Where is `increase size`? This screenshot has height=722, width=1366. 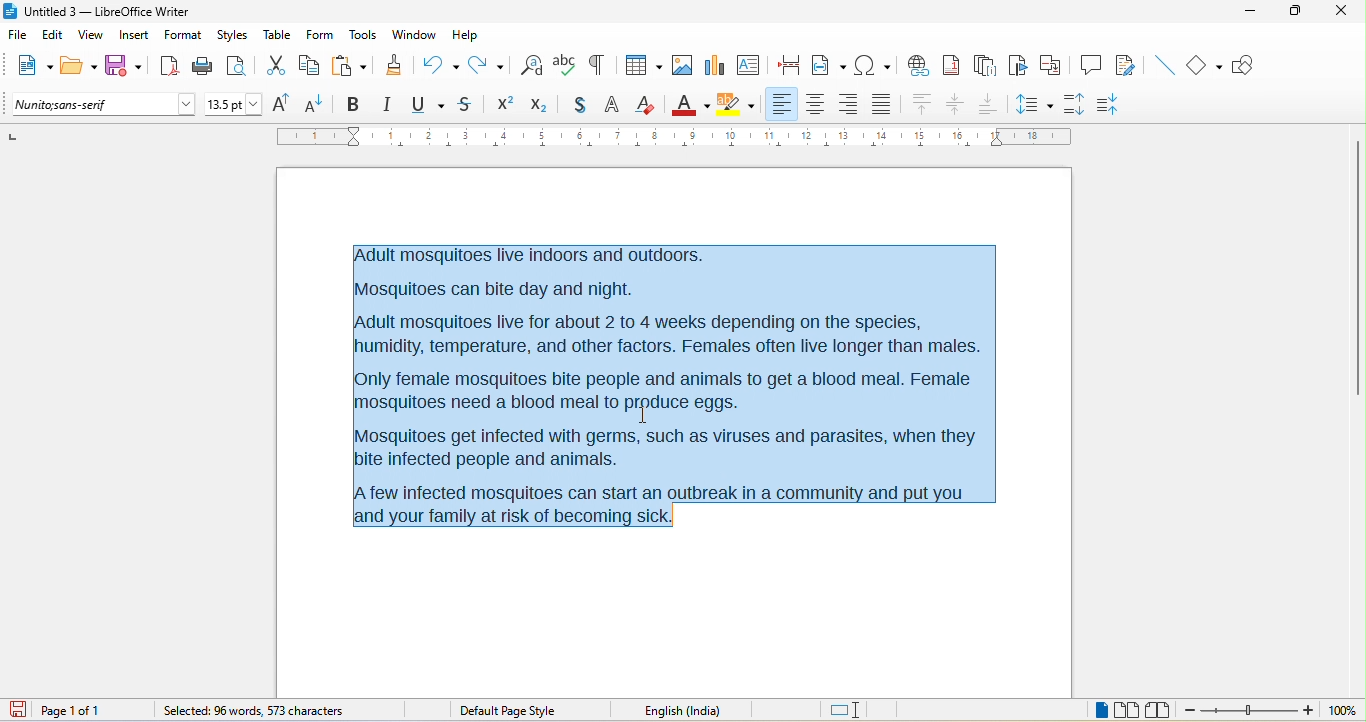
increase size is located at coordinates (285, 104).